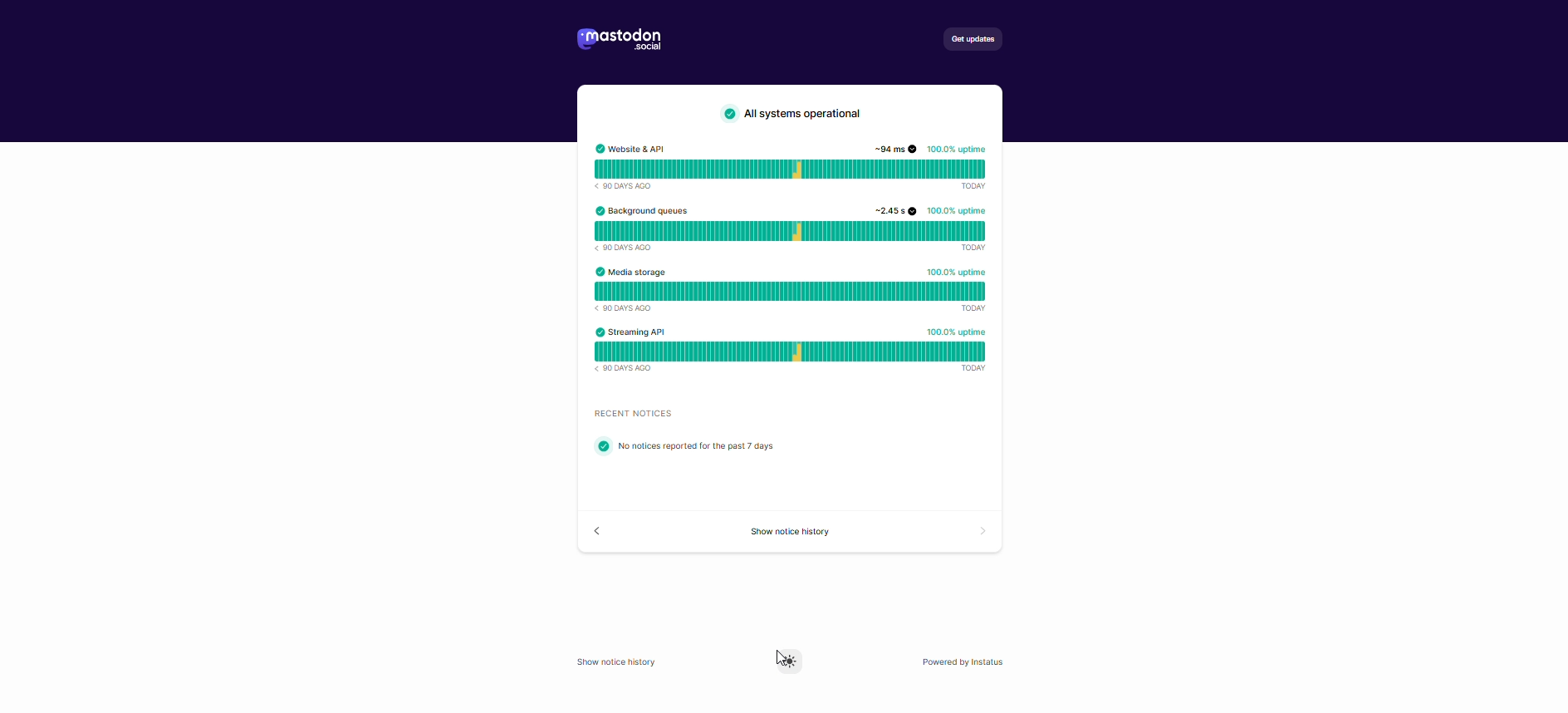  What do you see at coordinates (973, 534) in the screenshot?
I see `forward` at bounding box center [973, 534].